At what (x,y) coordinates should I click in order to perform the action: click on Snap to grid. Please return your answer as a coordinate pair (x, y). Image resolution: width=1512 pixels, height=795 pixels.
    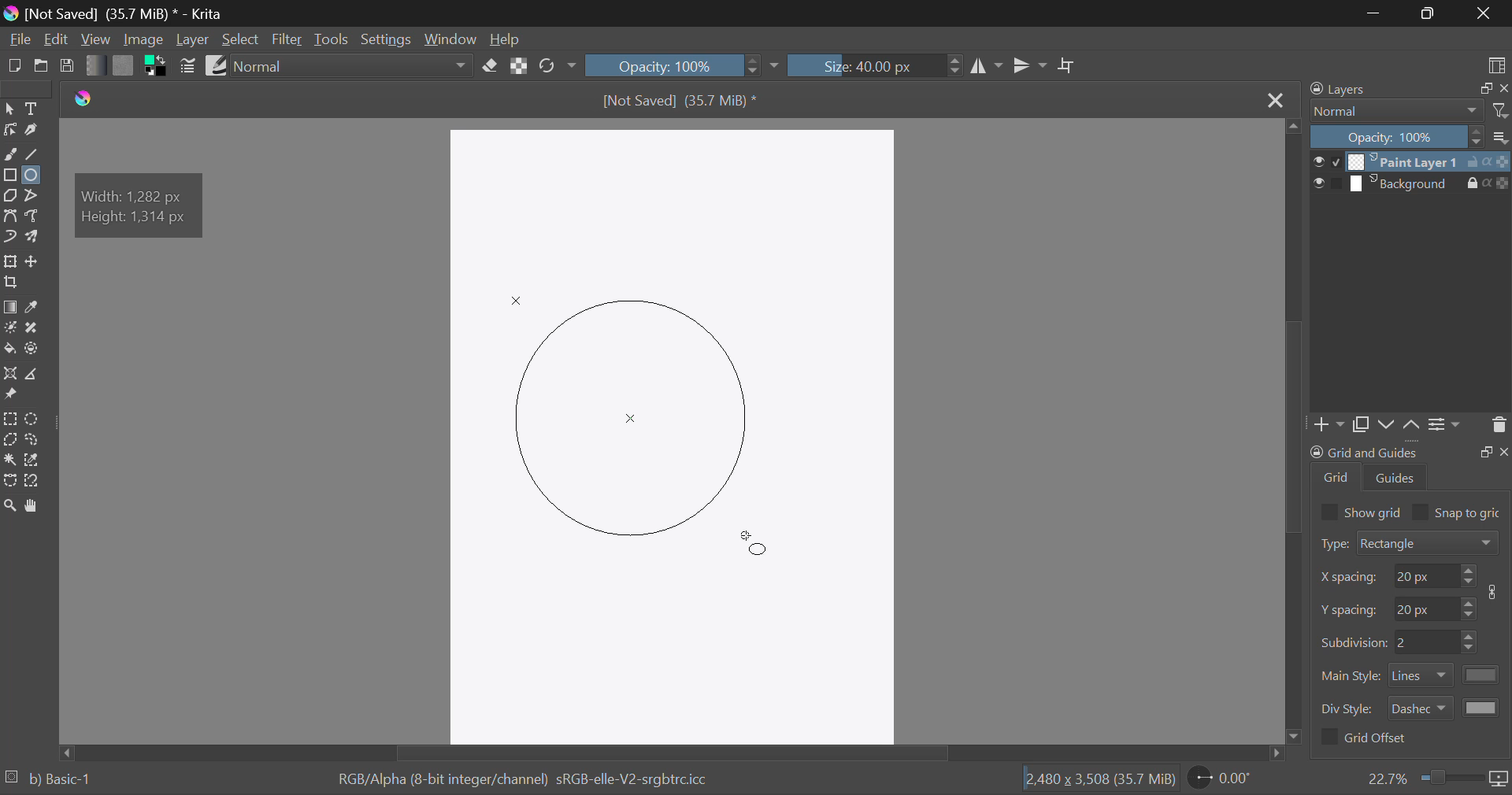
    Looking at the image, I should click on (1460, 511).